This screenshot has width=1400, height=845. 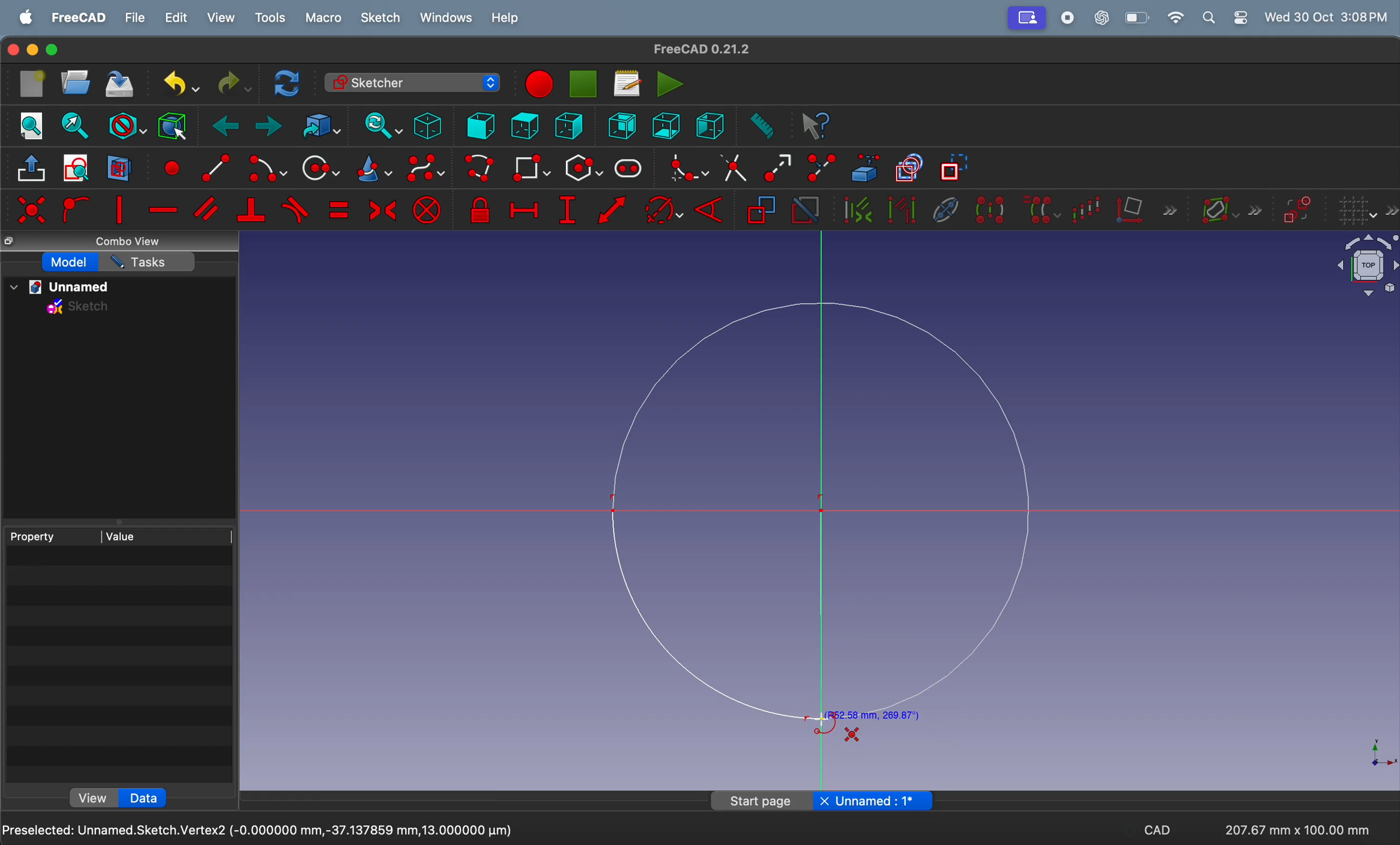 What do you see at coordinates (79, 18) in the screenshot?
I see `freeCad` at bounding box center [79, 18].